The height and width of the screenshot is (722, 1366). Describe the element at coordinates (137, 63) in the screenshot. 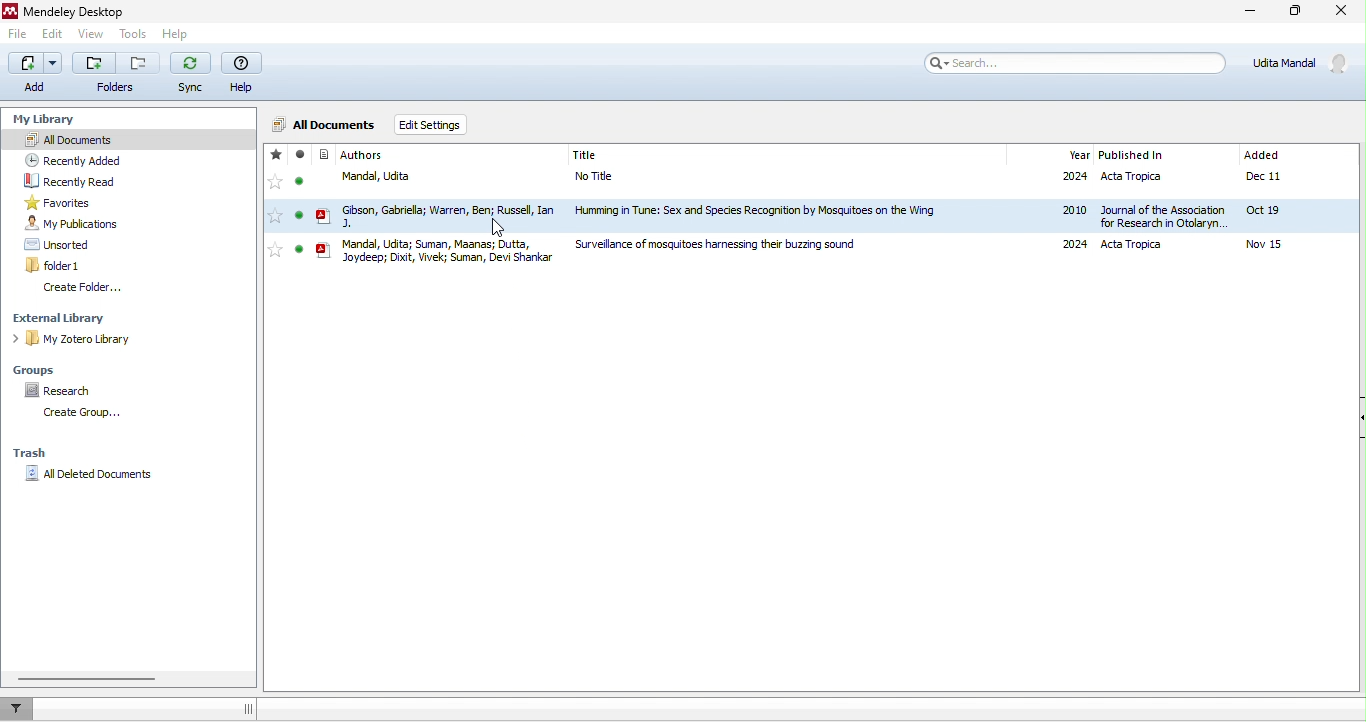

I see `save` at that location.